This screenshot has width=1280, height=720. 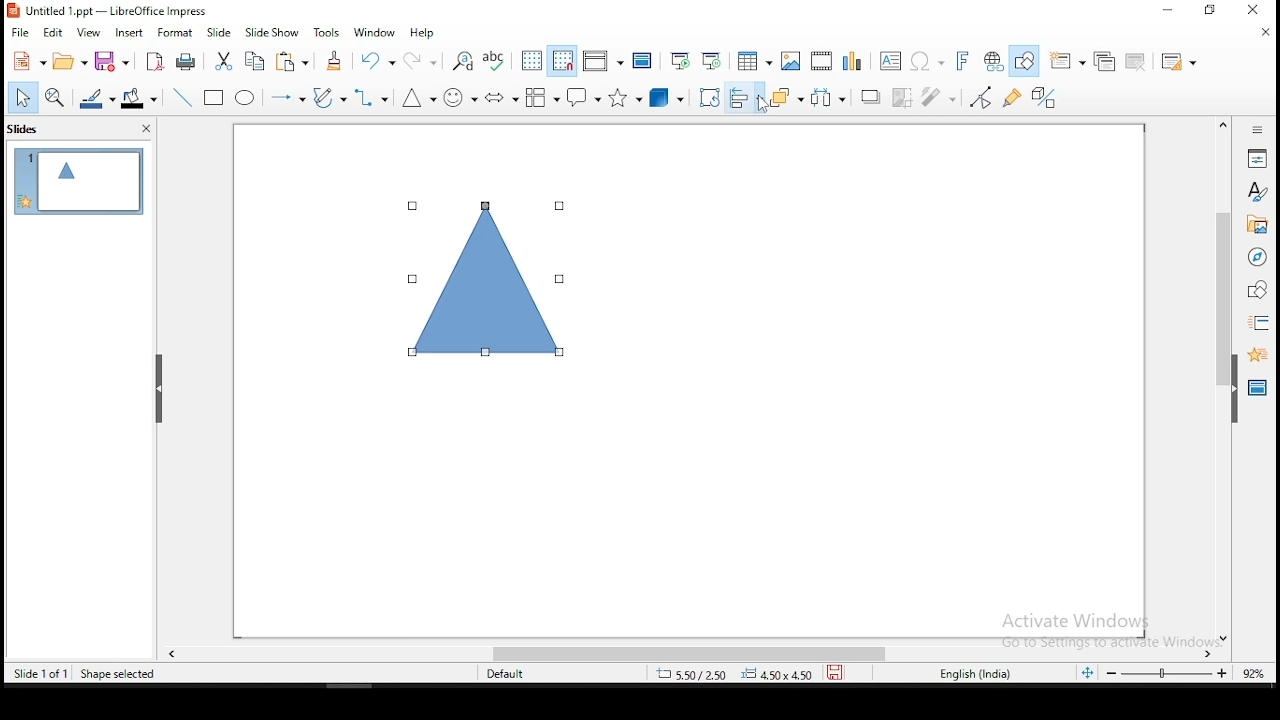 What do you see at coordinates (707, 97) in the screenshot?
I see `crop tool` at bounding box center [707, 97].